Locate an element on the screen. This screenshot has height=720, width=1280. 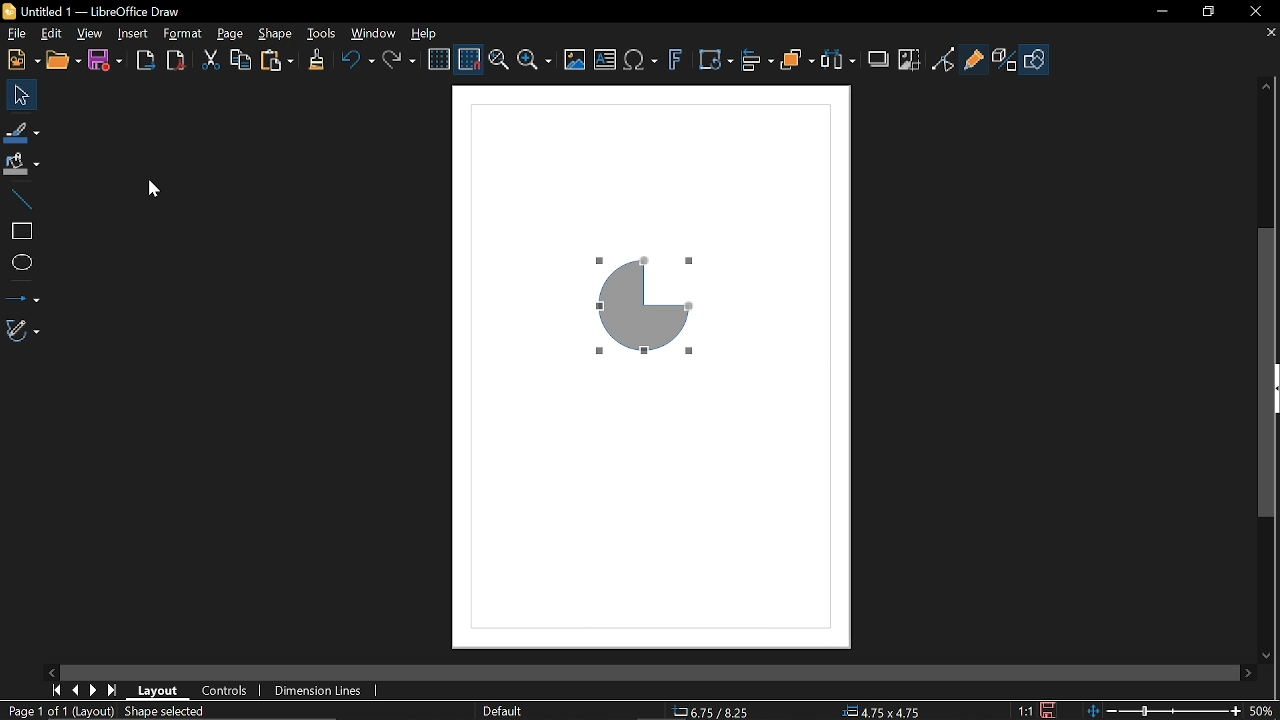
Move down is located at coordinates (1264, 656).